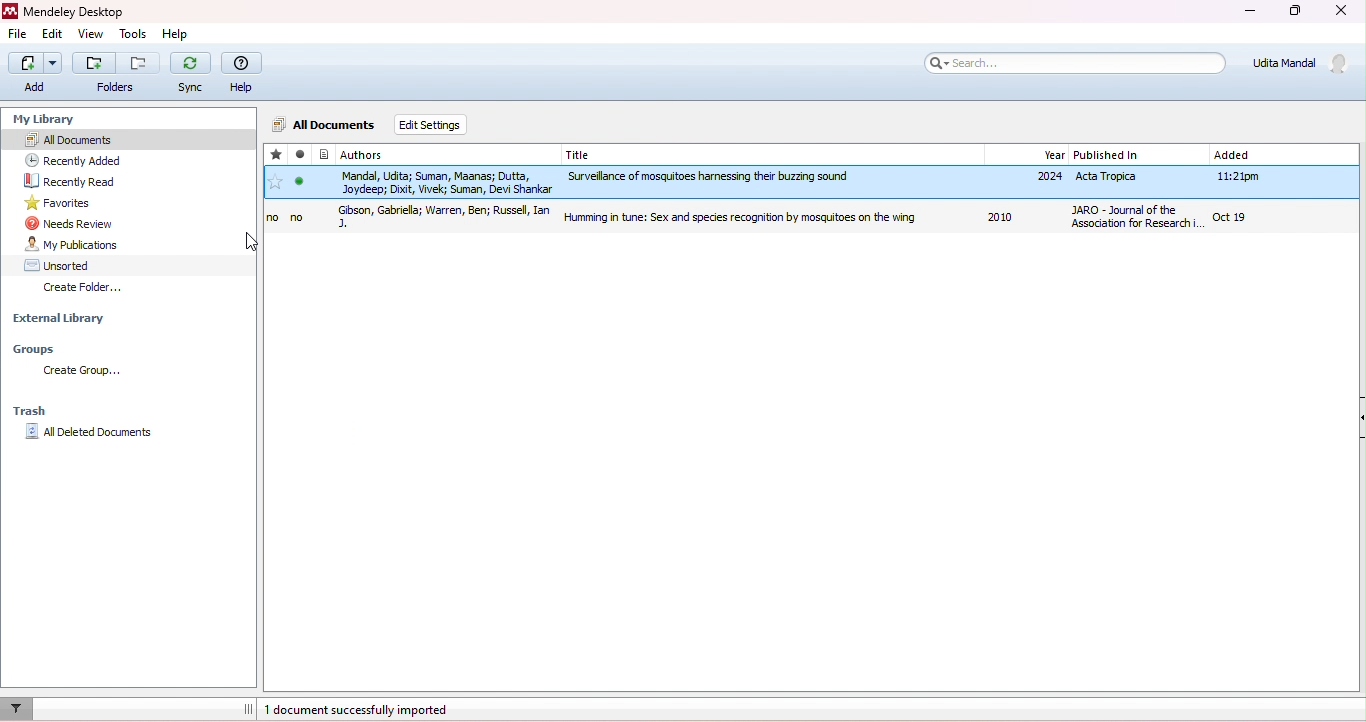 This screenshot has width=1366, height=722. What do you see at coordinates (70, 223) in the screenshot?
I see `needs review` at bounding box center [70, 223].